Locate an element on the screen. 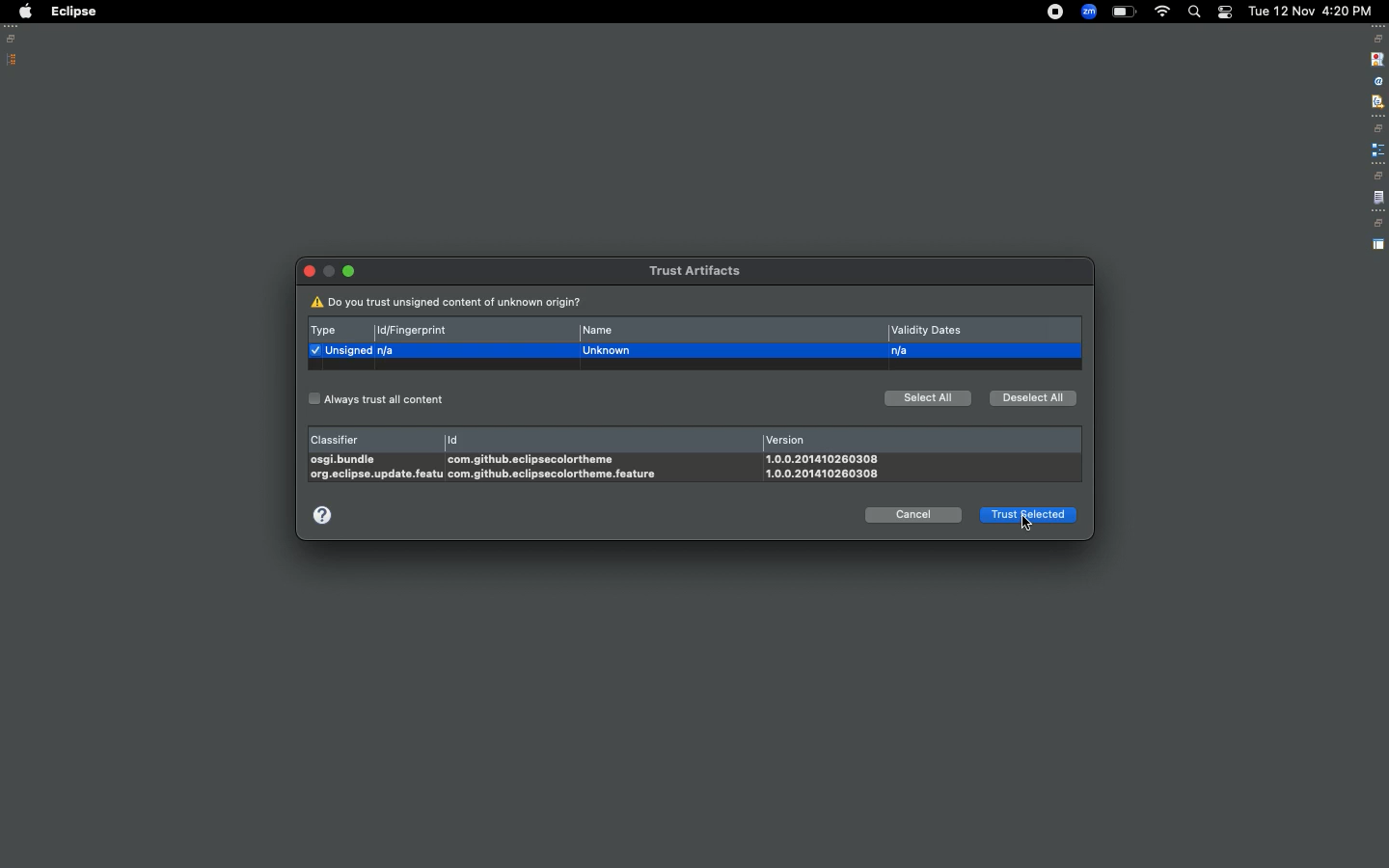  file is located at coordinates (1378, 199).